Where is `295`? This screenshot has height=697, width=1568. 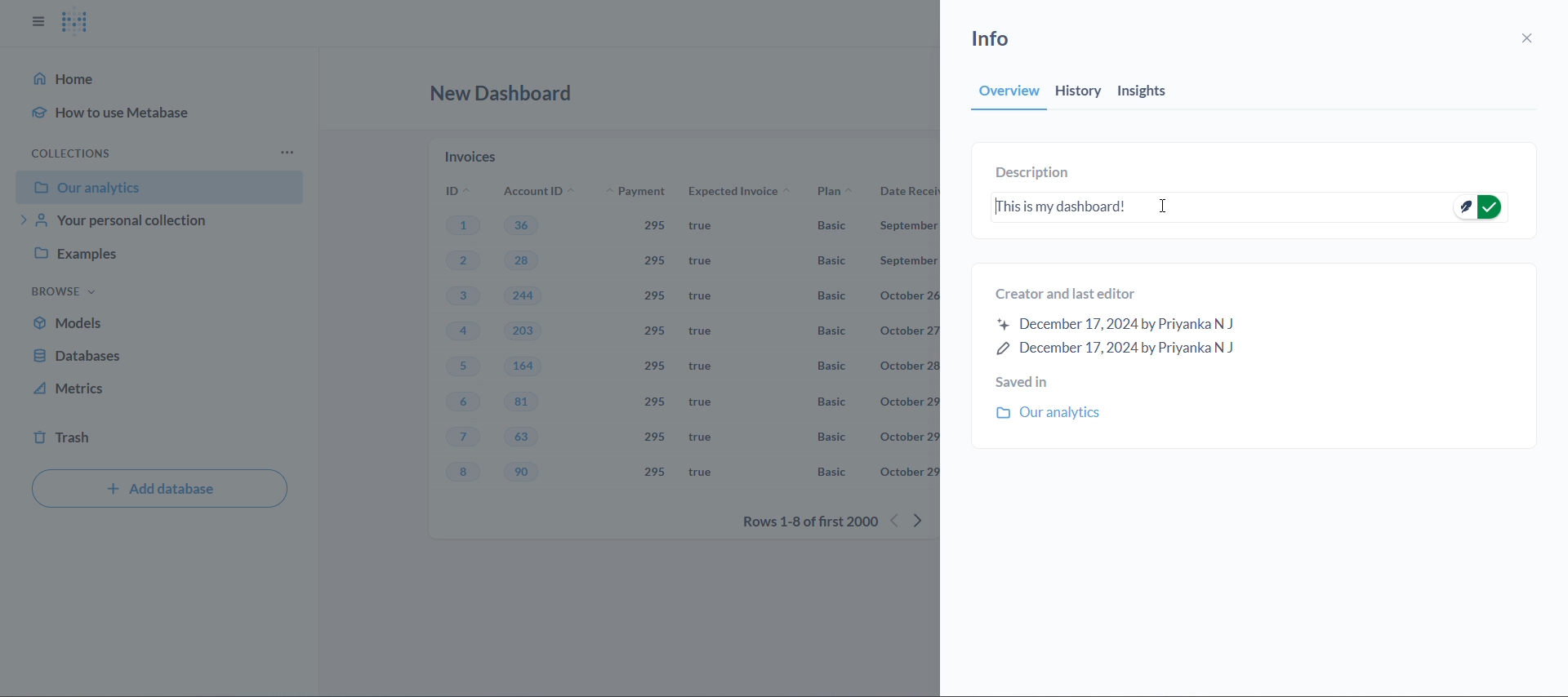 295 is located at coordinates (655, 332).